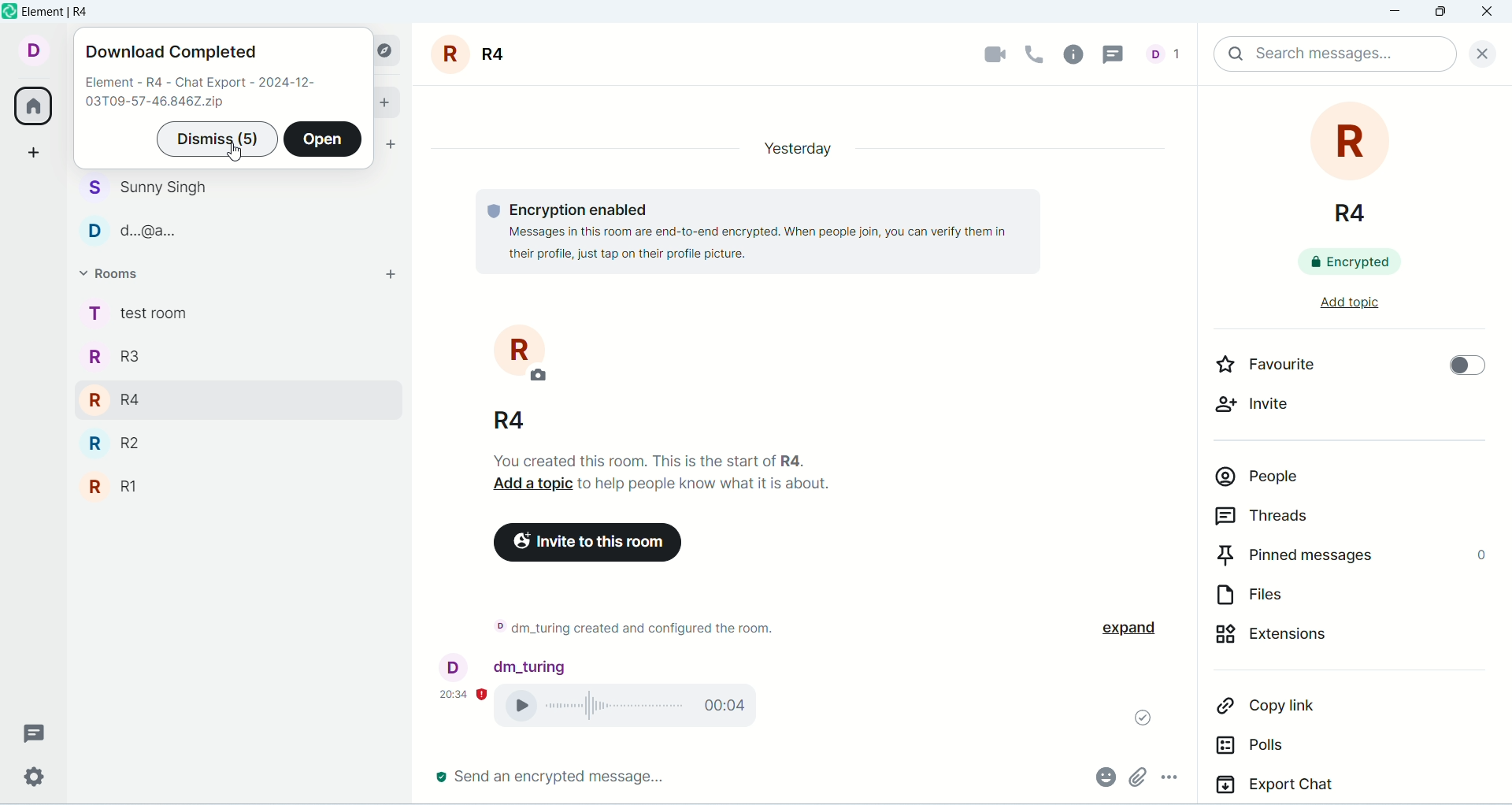  What do you see at coordinates (1313, 599) in the screenshot?
I see `files` at bounding box center [1313, 599].